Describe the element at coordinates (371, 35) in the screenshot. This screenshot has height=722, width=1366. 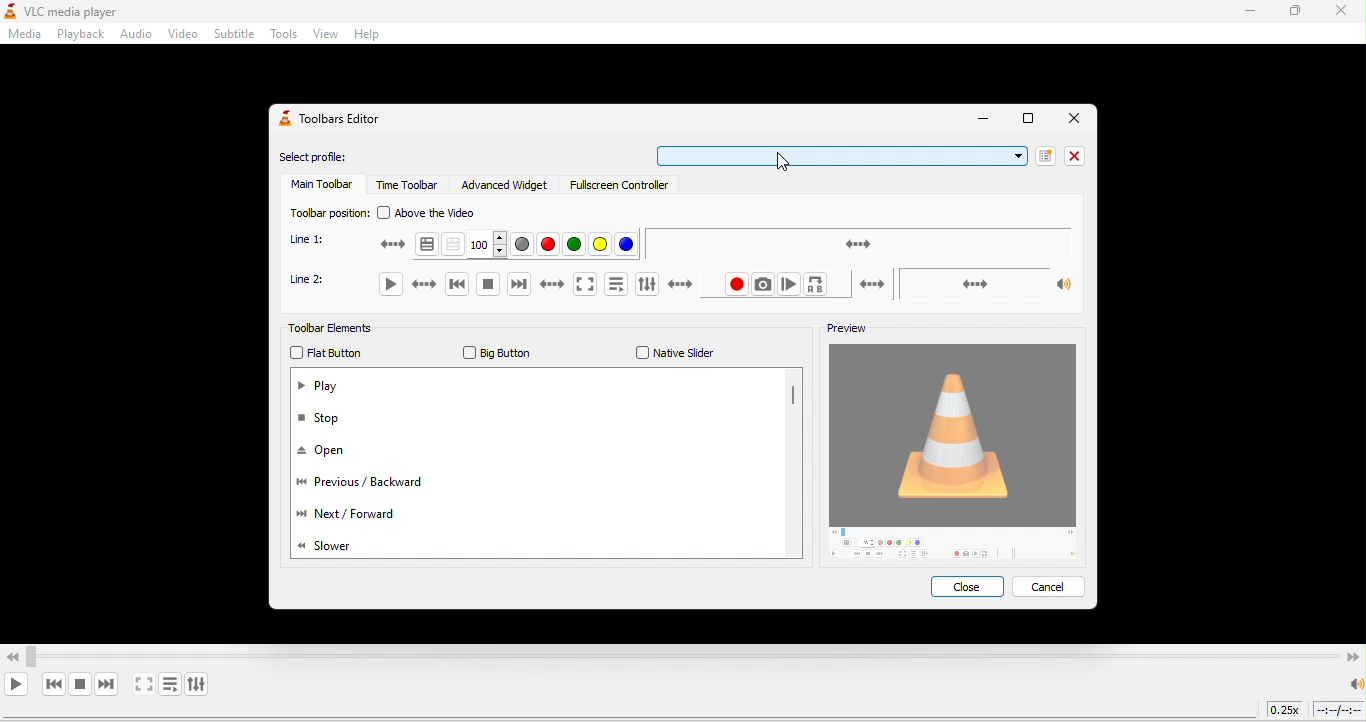
I see `help` at that location.